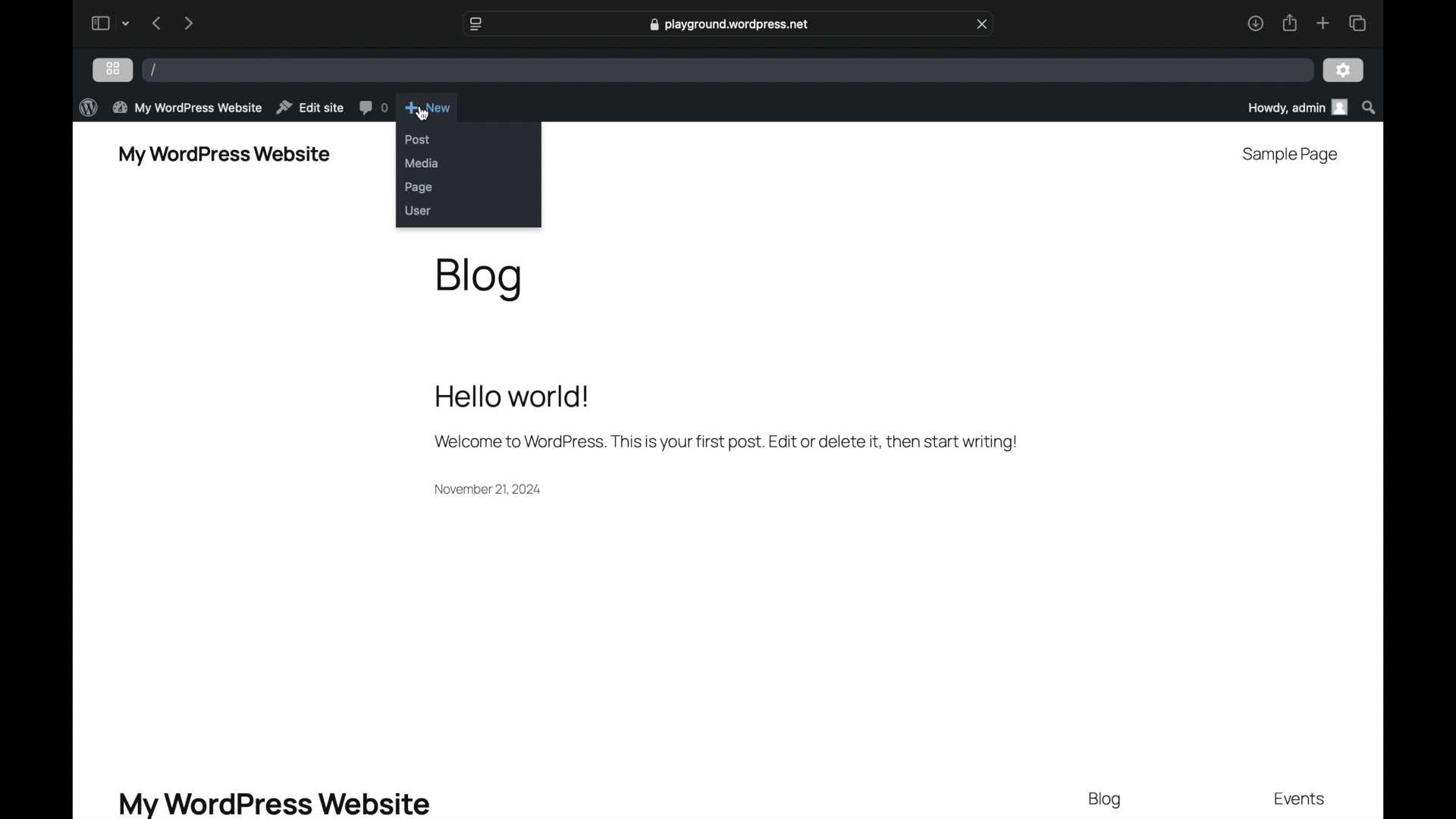  What do you see at coordinates (419, 211) in the screenshot?
I see `user` at bounding box center [419, 211].